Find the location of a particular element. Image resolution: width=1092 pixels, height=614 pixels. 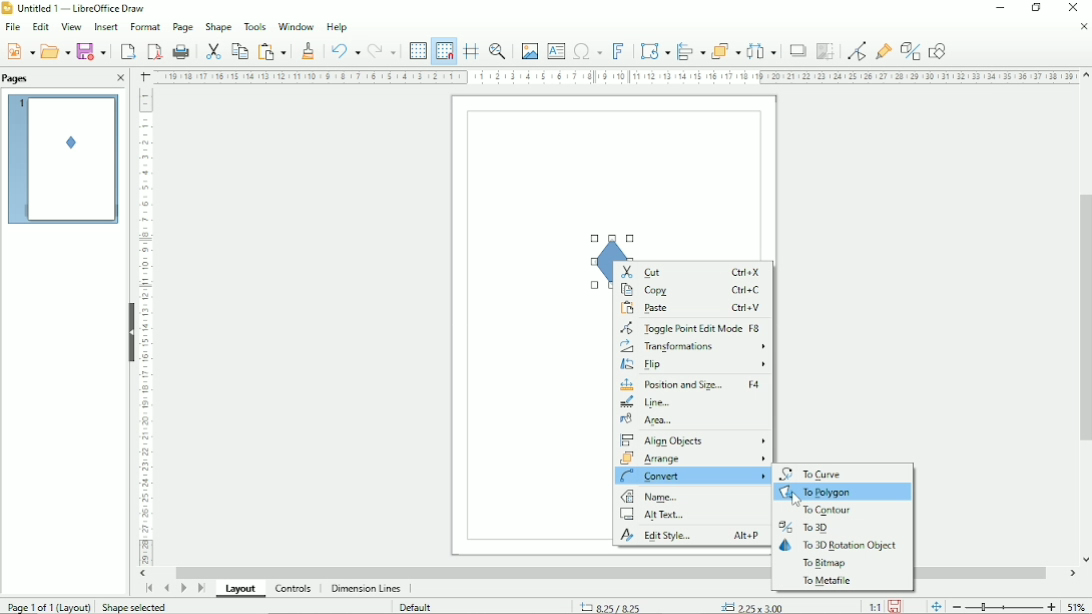

Default is located at coordinates (419, 606).